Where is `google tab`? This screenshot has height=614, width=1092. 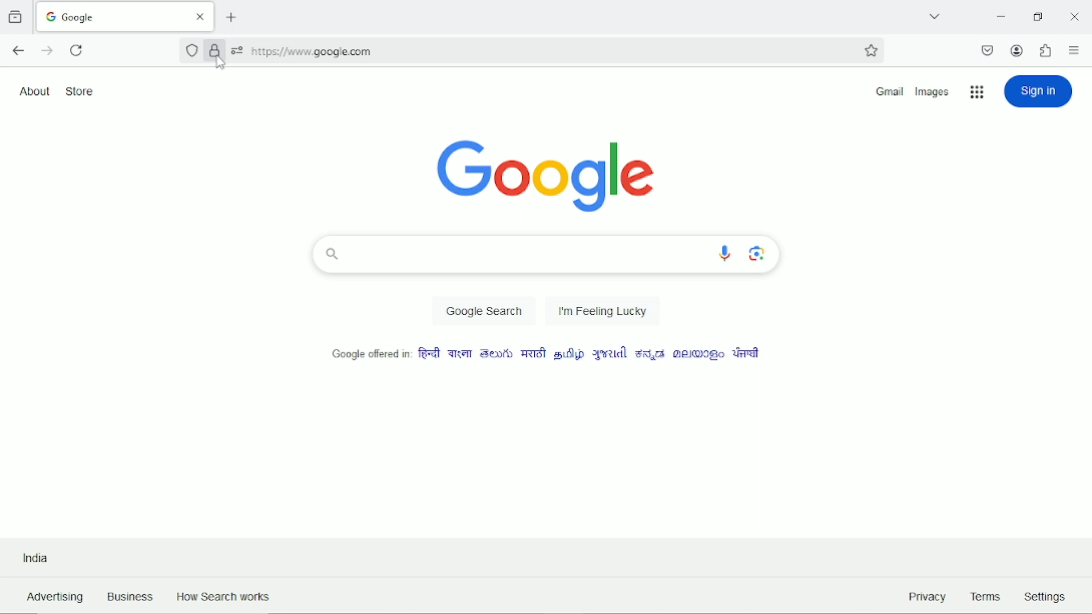
google tab is located at coordinates (125, 16).